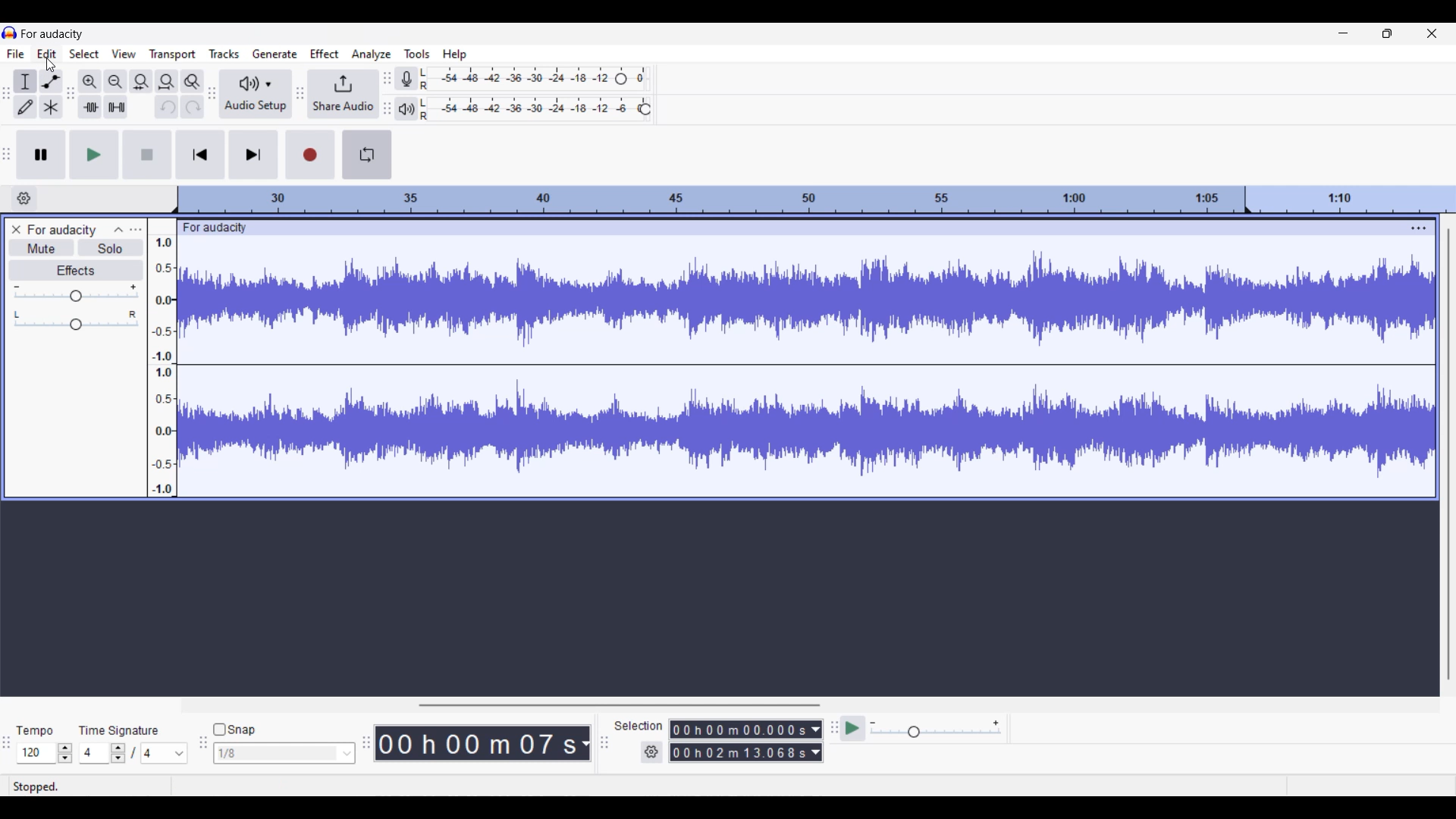 The width and height of the screenshot is (1456, 819). I want to click on Playback level, so click(530, 109).